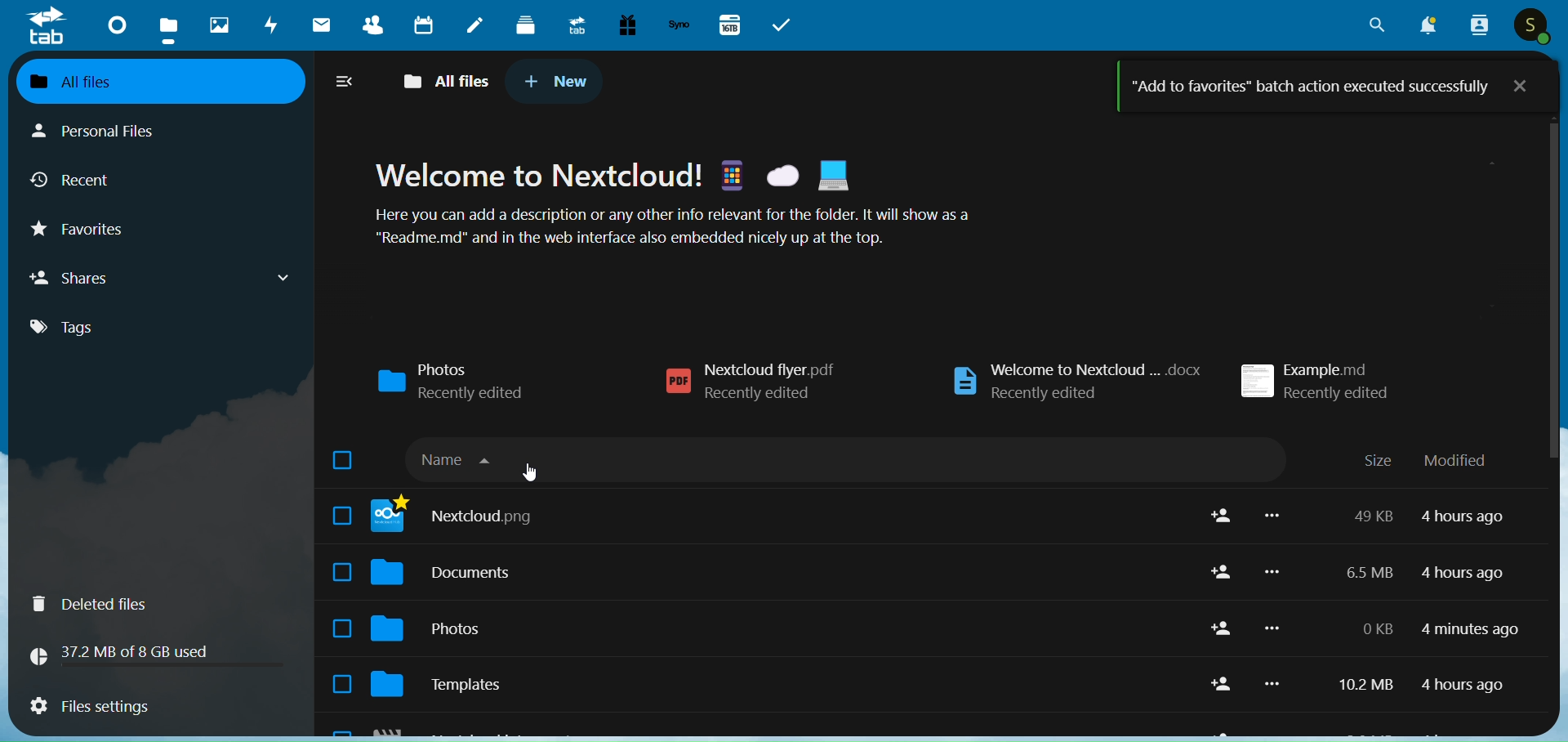 This screenshot has width=1568, height=742. I want to click on Add, so click(1222, 684).